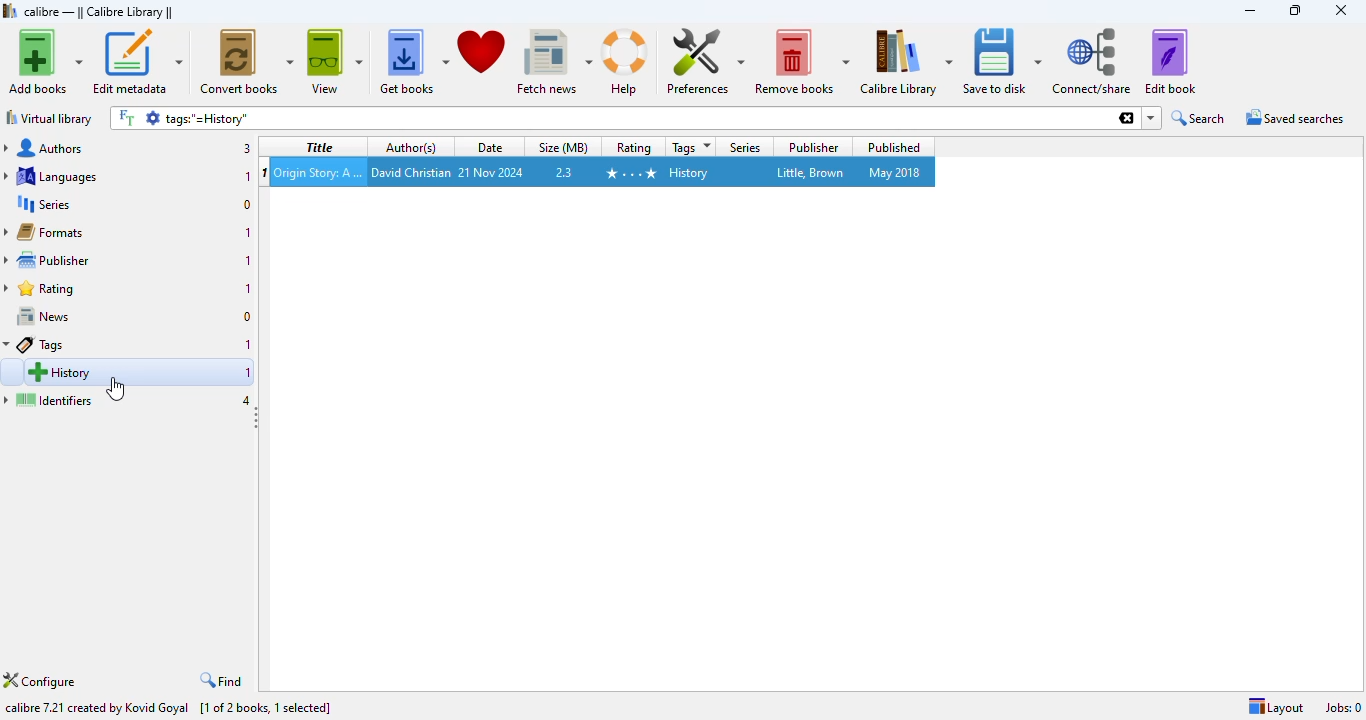 The height and width of the screenshot is (720, 1366). I want to click on may 2018, so click(895, 171).